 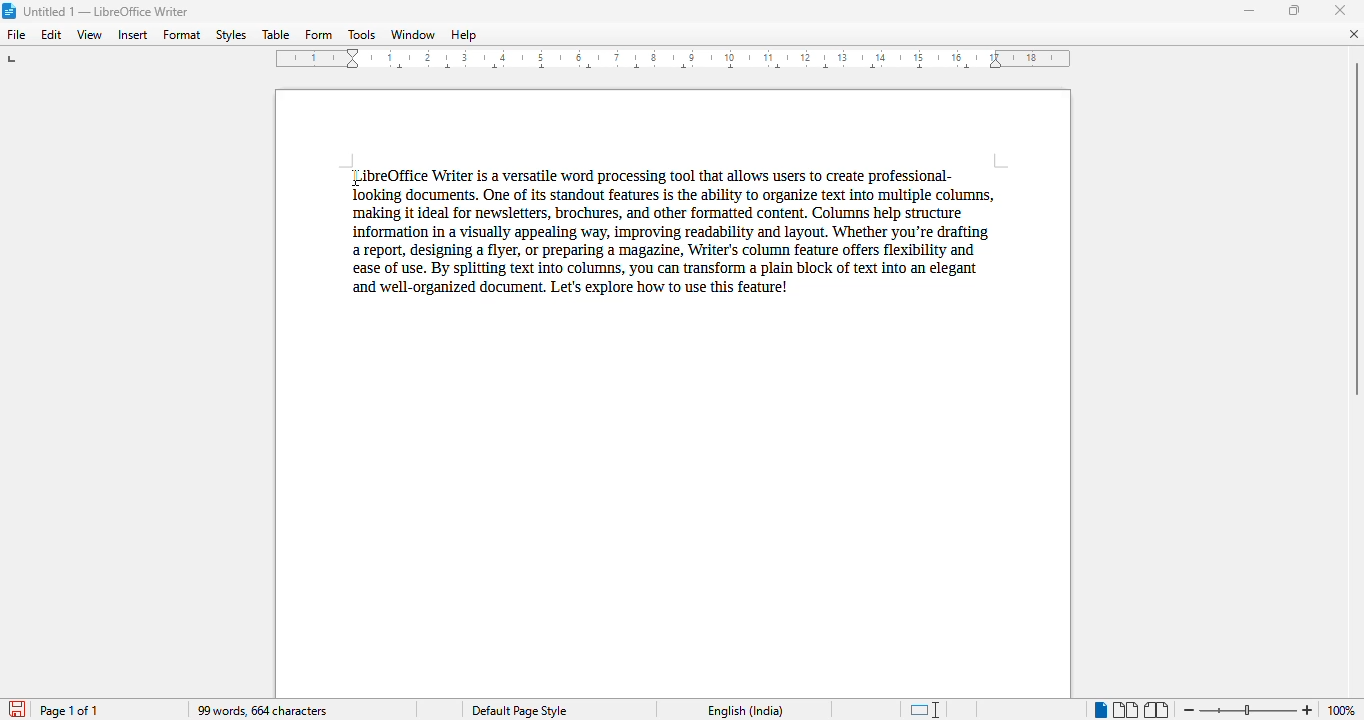 What do you see at coordinates (674, 236) in the screenshot?
I see `LibreOffice Writer is a versatile word processing tool that allows users to create professional-looking documents. One of its standout features is the ability to organize text into multiple columns, making it ideal for newsletters, brochures, and other formatted content. Columns help structure information in a visually appealing way, improving readability and layout. Whether you're drafting a report, designing a flyer, or preparing a magazine, Writer's column feature offers flexibility and ease of use. By splitting text into columns, you can transform a plain block of text into an elegant and well-organized document. Let's explore how to use this feature!` at bounding box center [674, 236].